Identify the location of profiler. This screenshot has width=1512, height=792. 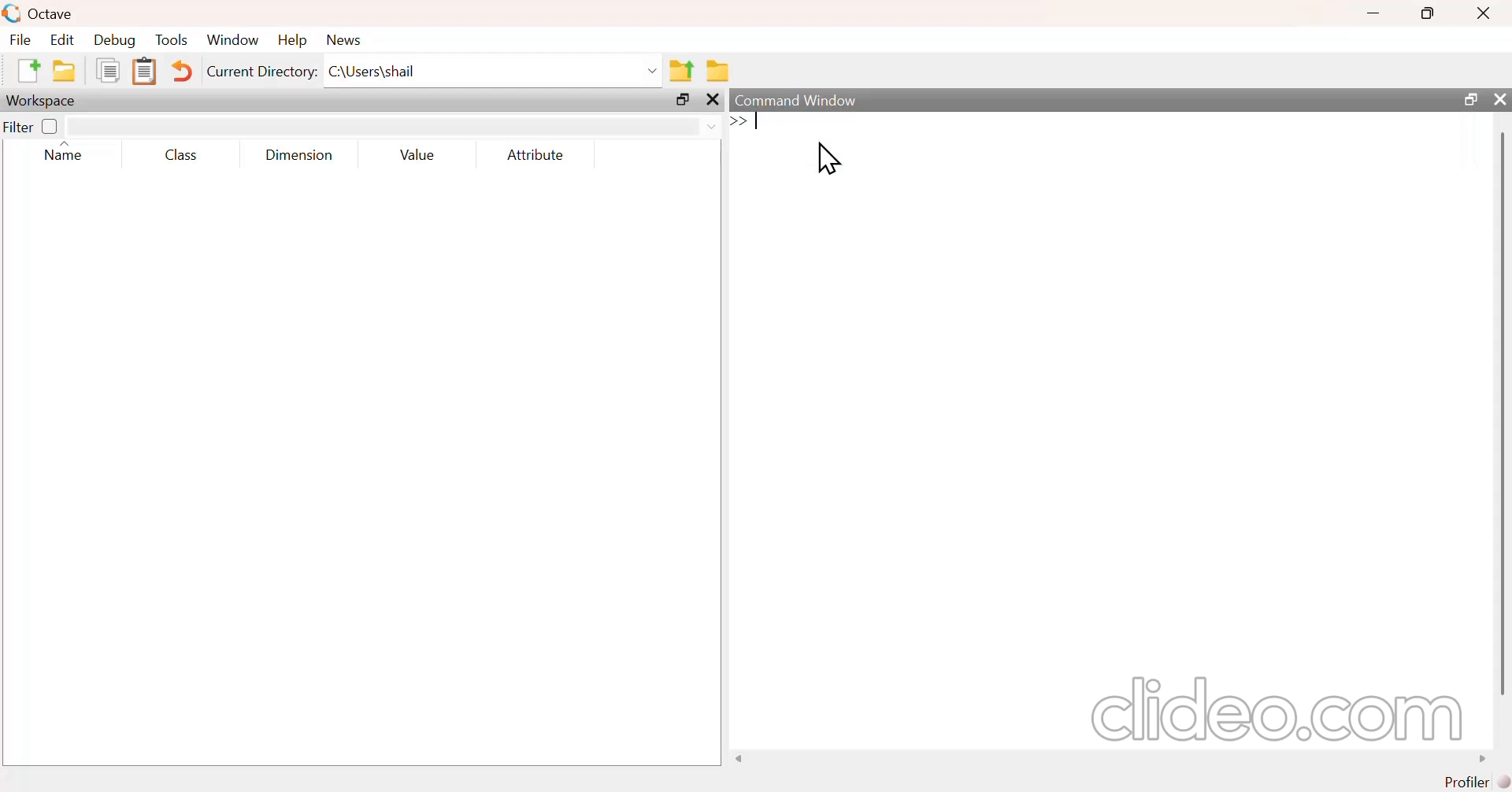
(1480, 782).